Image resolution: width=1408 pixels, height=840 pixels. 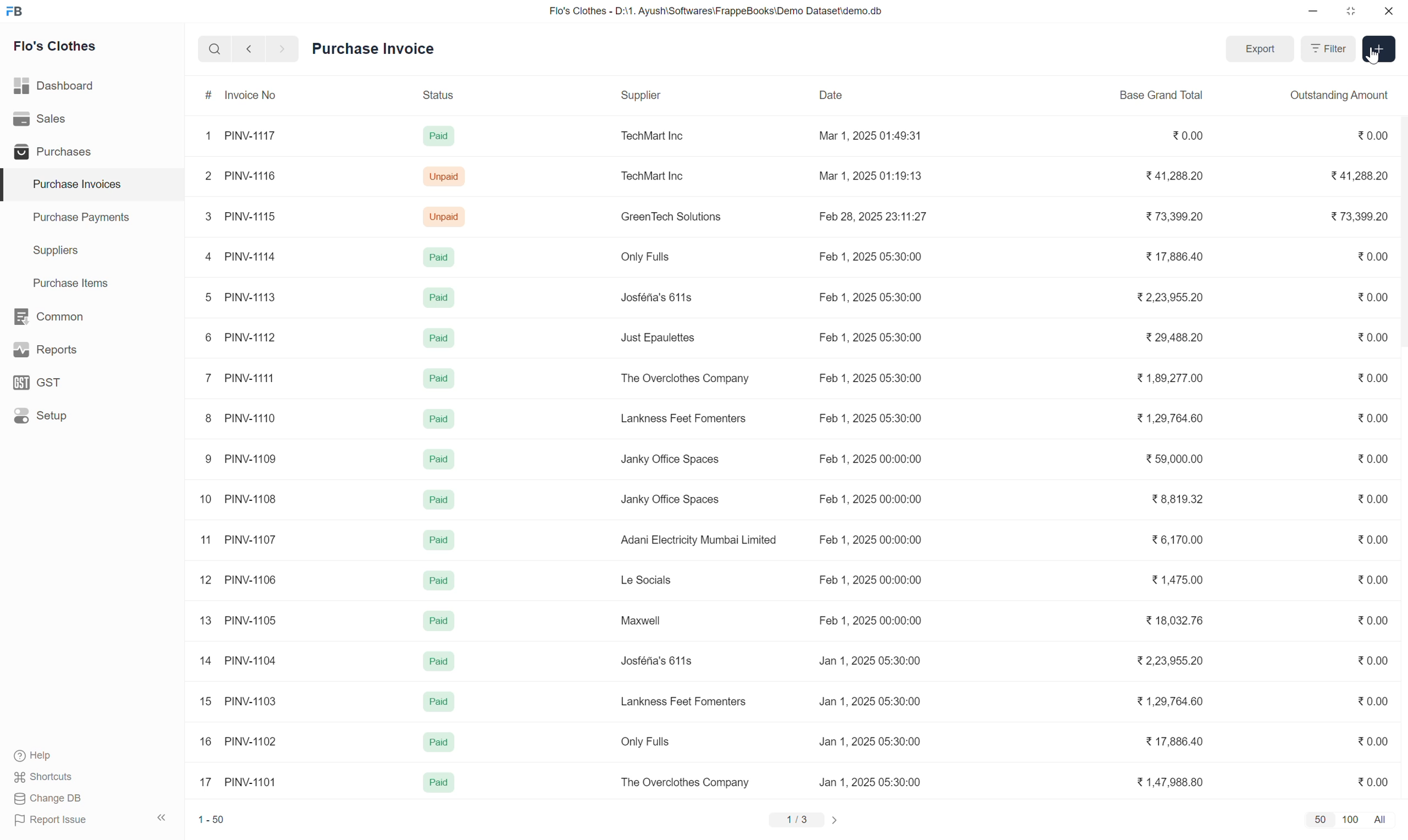 I want to click on Adani Electricity Mumbai Limited, so click(x=699, y=539).